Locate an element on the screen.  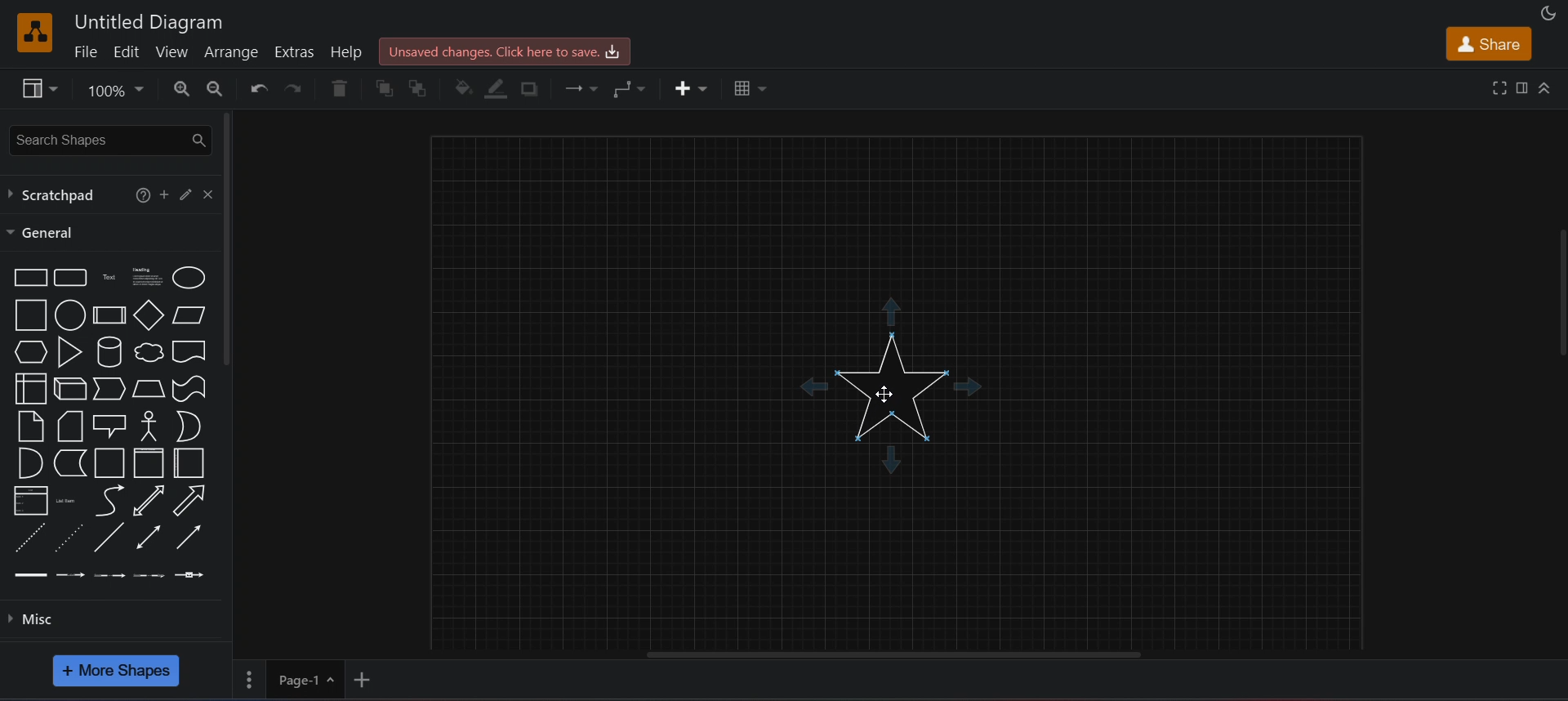
Connector with 3 labels is located at coordinates (151, 576).